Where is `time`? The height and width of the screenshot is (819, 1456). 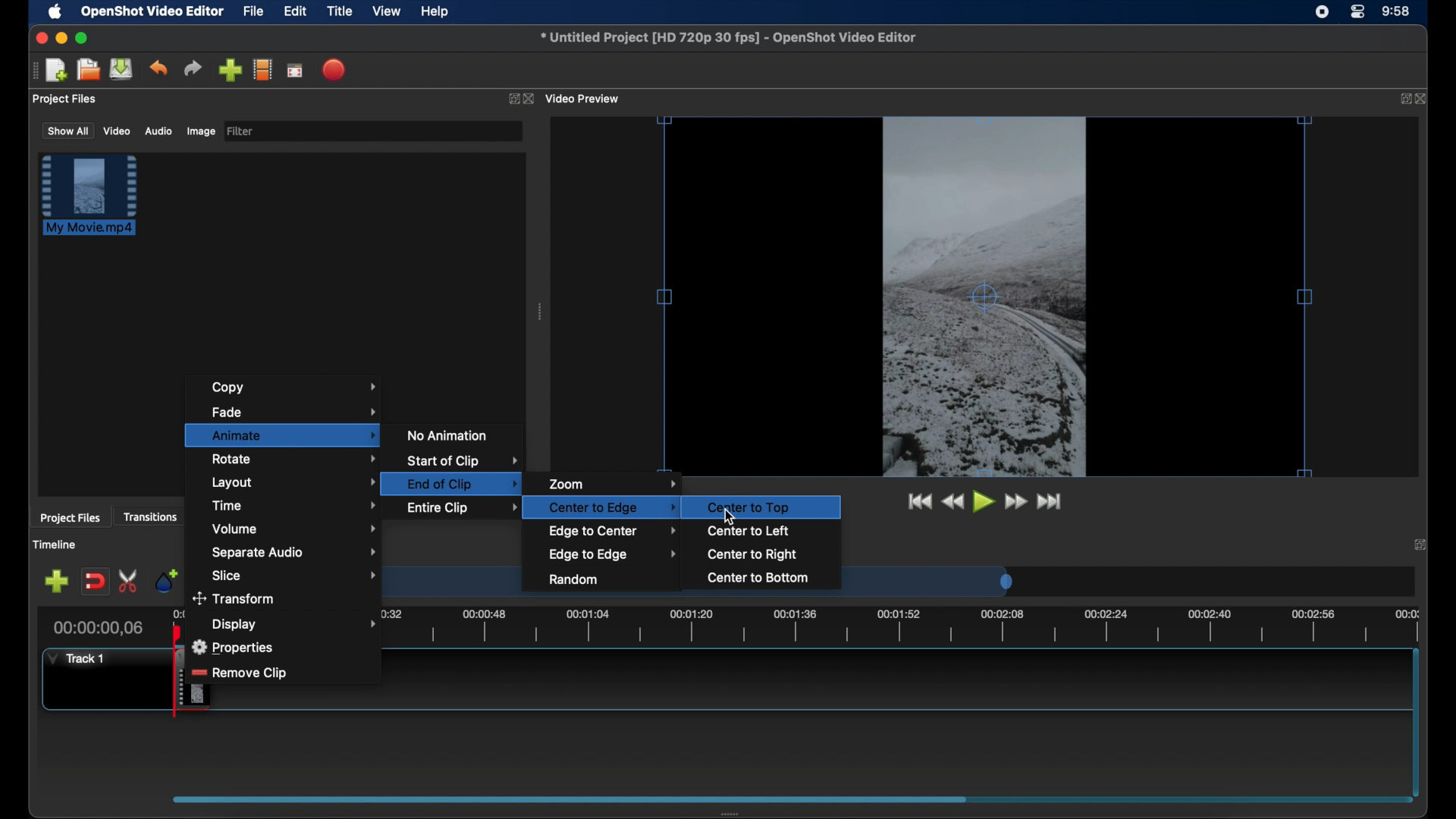 time is located at coordinates (1397, 12).